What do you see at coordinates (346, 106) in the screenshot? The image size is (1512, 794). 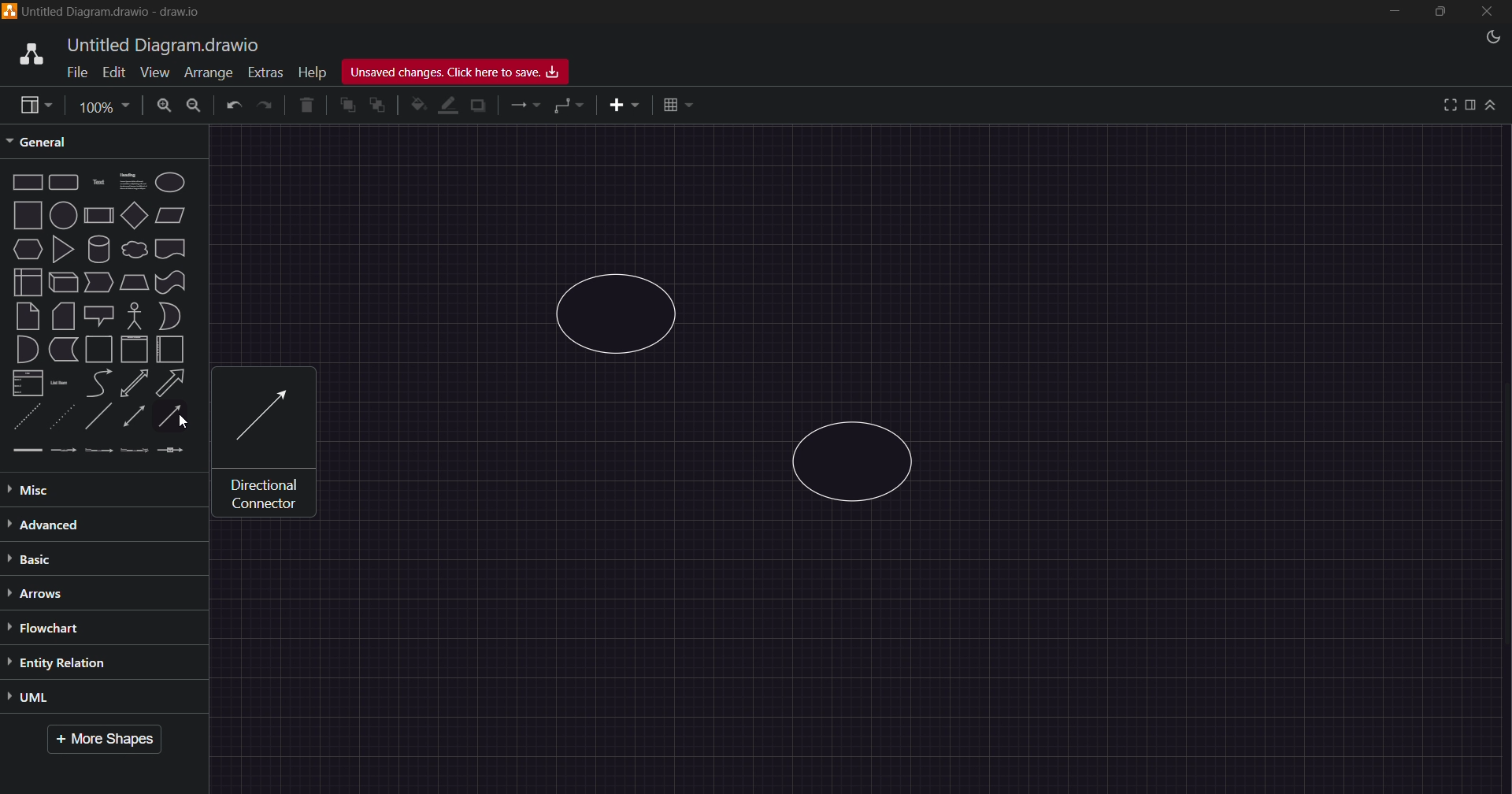 I see `to front` at bounding box center [346, 106].